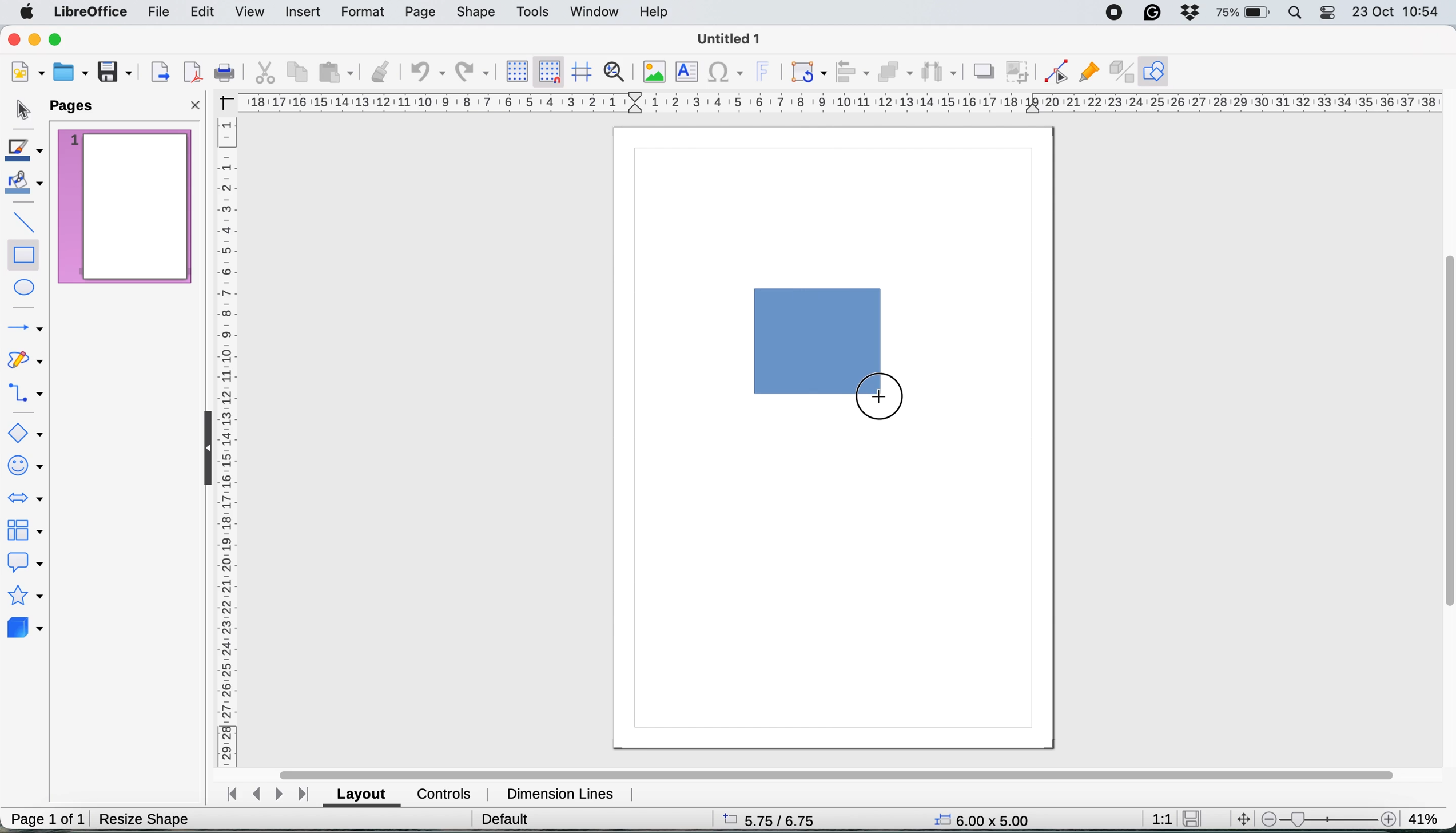 Image resolution: width=1456 pixels, height=833 pixels. I want to click on vertical scroll bar, so click(1445, 433).